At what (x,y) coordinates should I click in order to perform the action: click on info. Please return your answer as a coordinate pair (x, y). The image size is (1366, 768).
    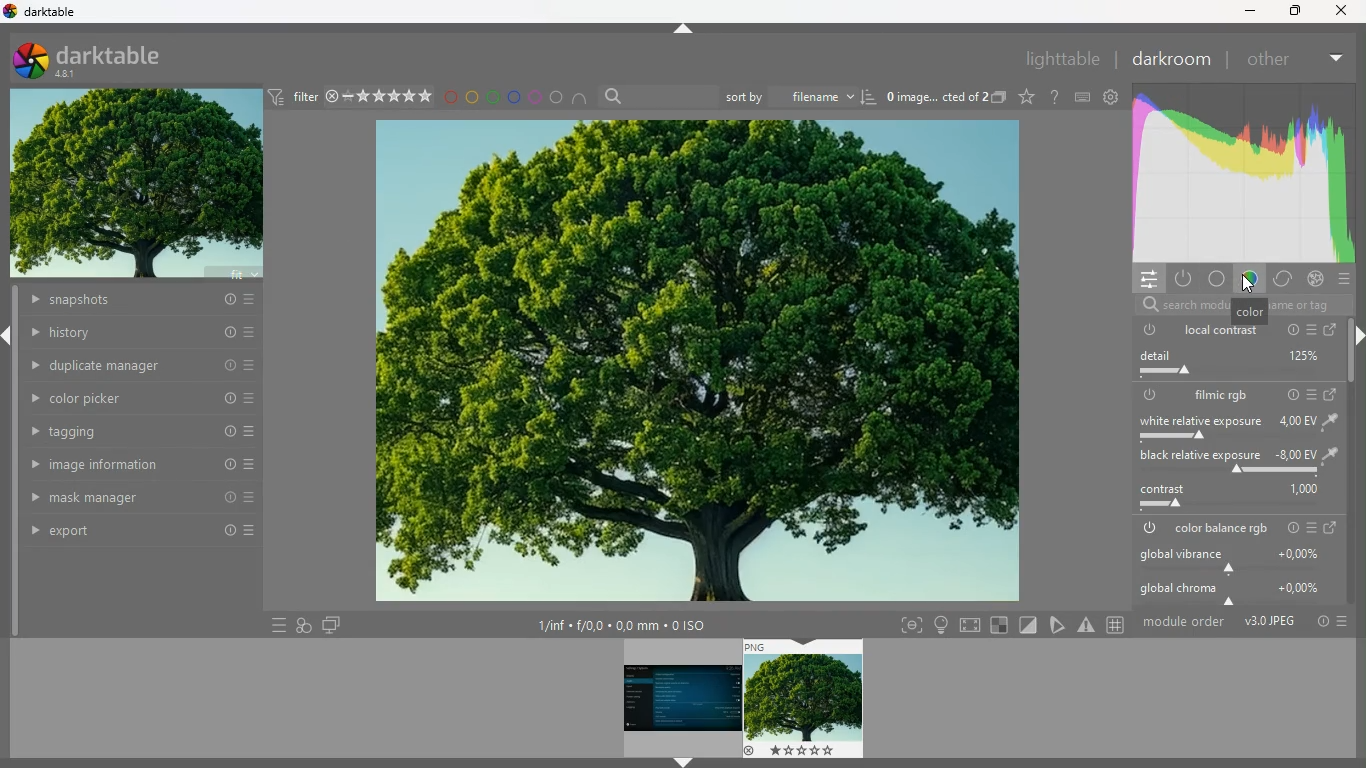
    Looking at the image, I should click on (1289, 528).